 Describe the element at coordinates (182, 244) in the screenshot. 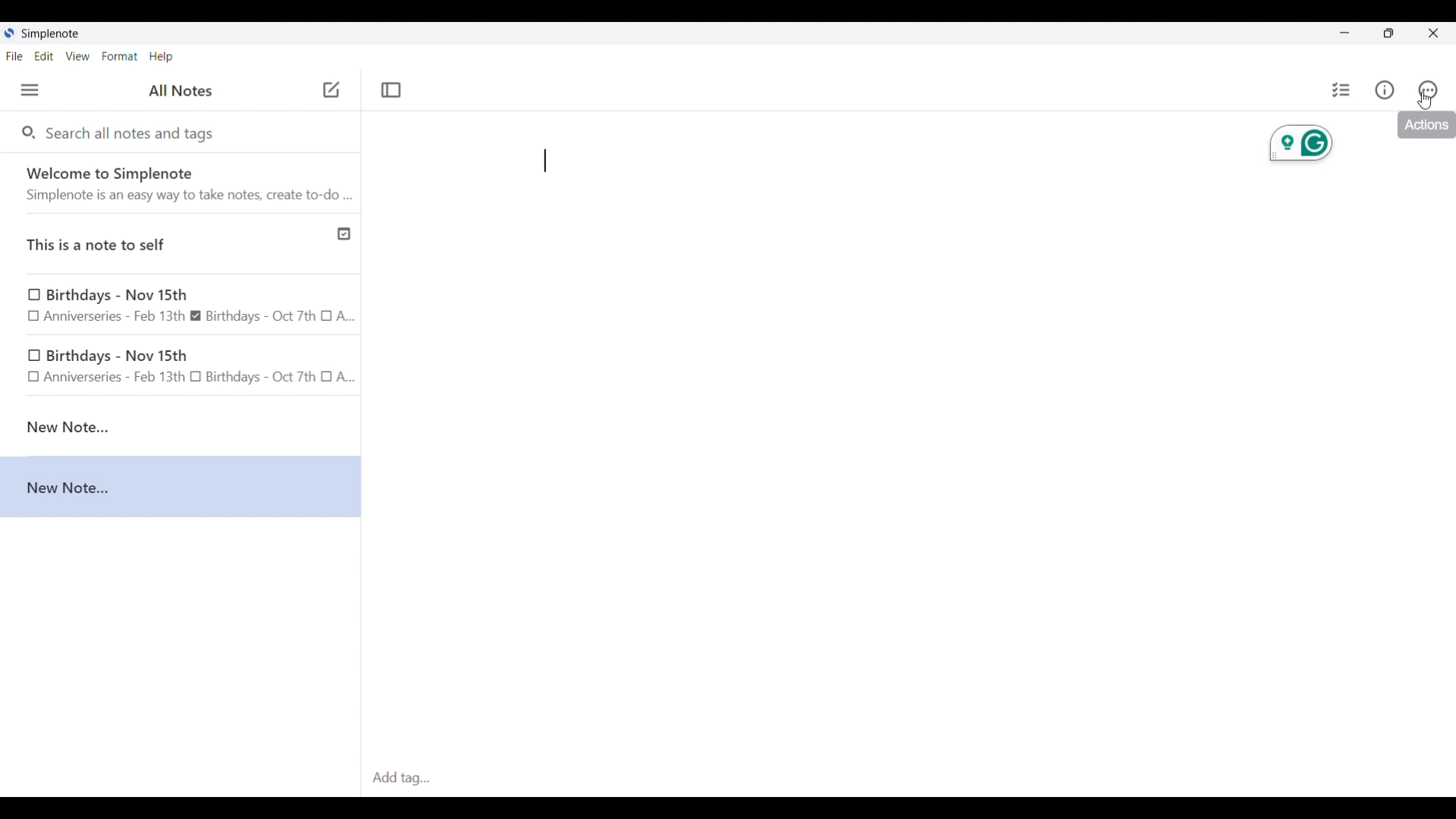

I see `Published note indicated by check icon` at that location.